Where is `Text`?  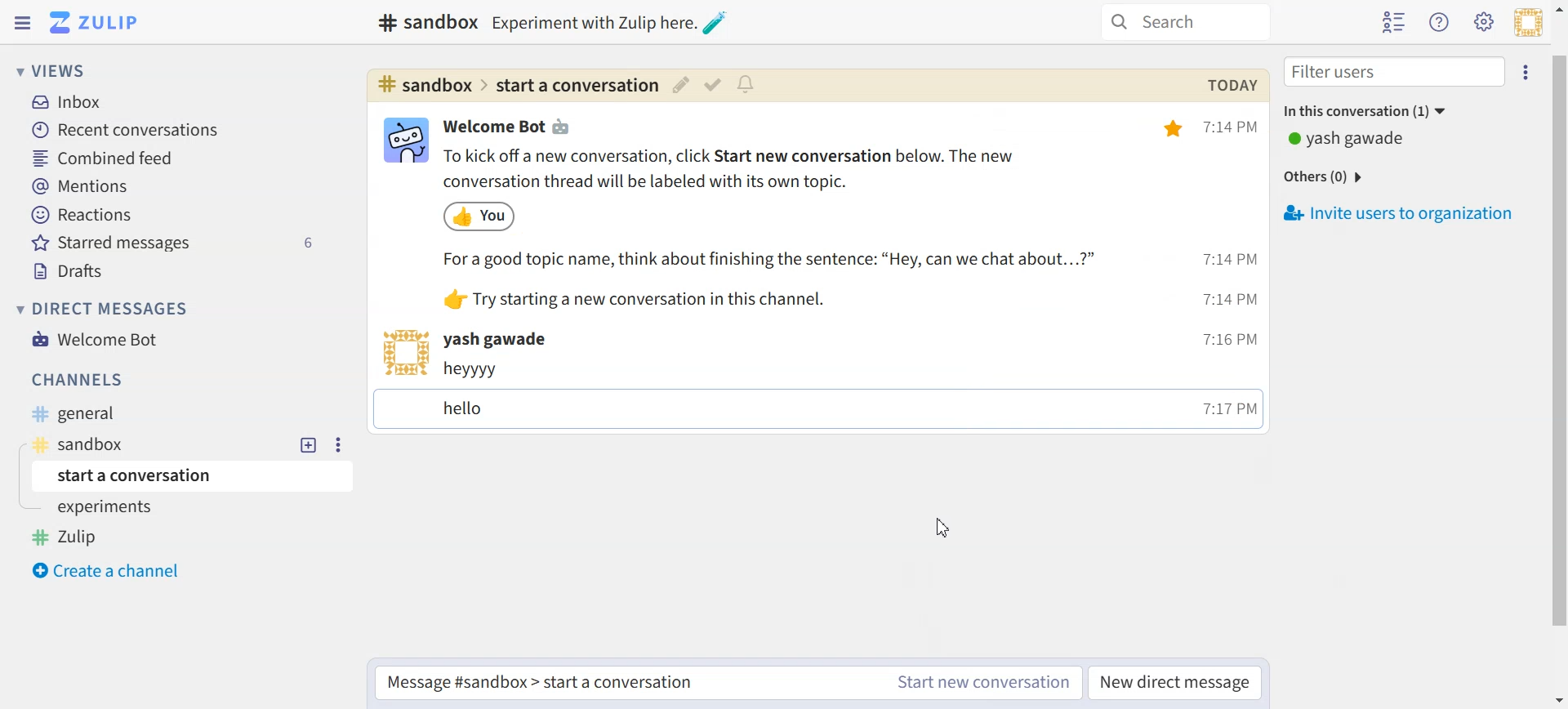
Text is located at coordinates (1348, 140).